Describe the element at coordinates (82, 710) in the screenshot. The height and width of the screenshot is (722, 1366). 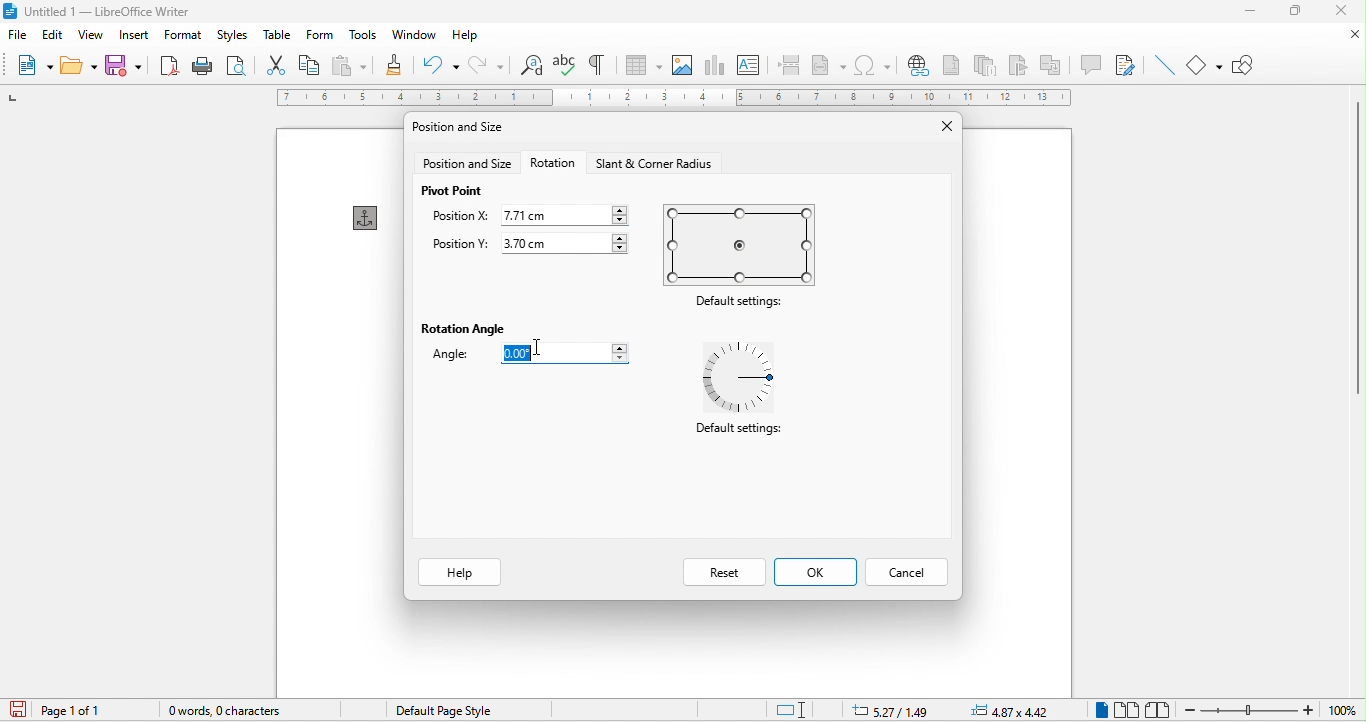
I see `page 1 of 1` at that location.